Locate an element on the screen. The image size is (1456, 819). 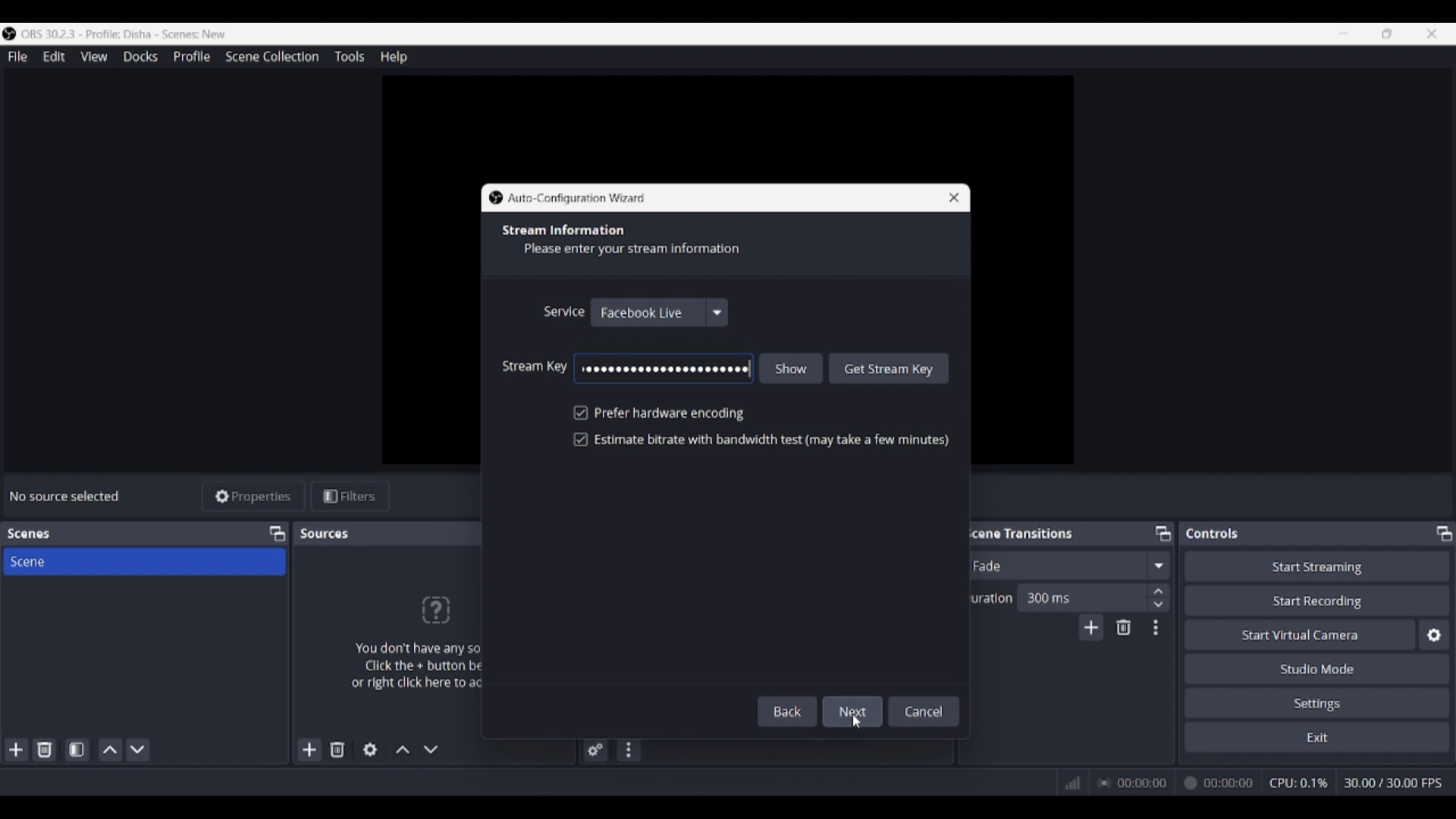
Stream key pasted is located at coordinates (664, 369).